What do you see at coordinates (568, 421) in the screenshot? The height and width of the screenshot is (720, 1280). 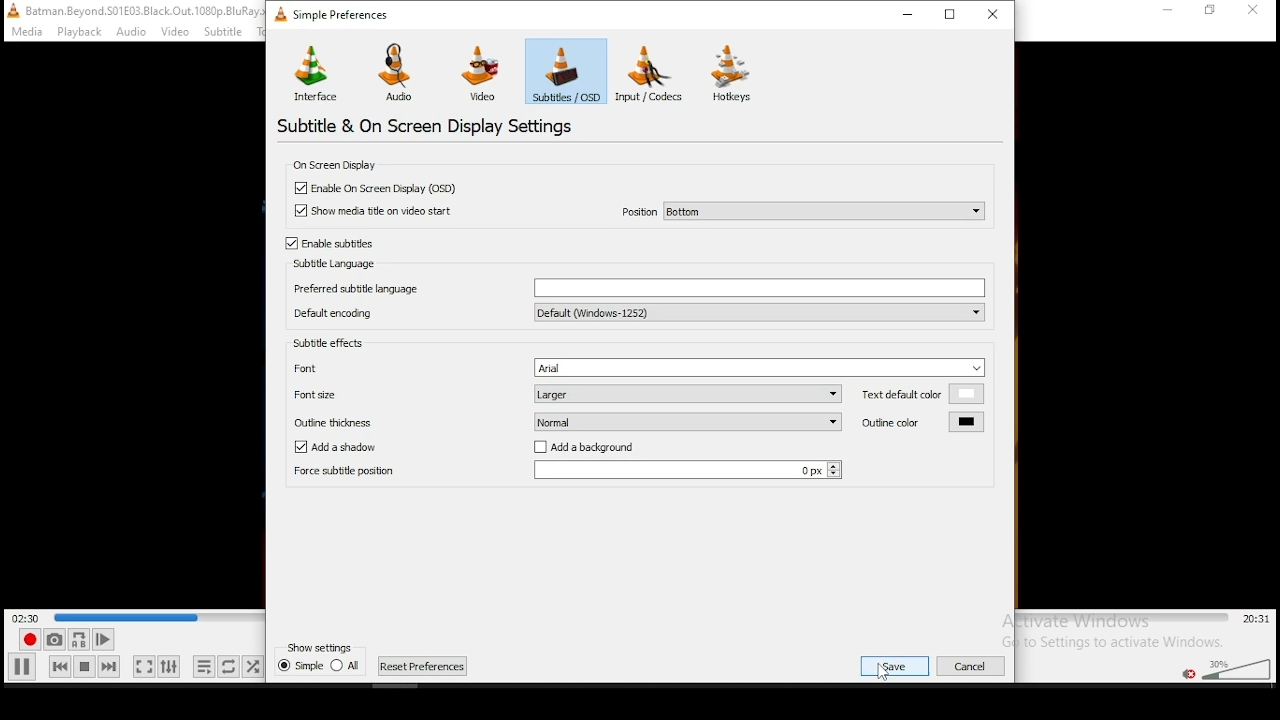 I see `outline thickness  Normal` at bounding box center [568, 421].